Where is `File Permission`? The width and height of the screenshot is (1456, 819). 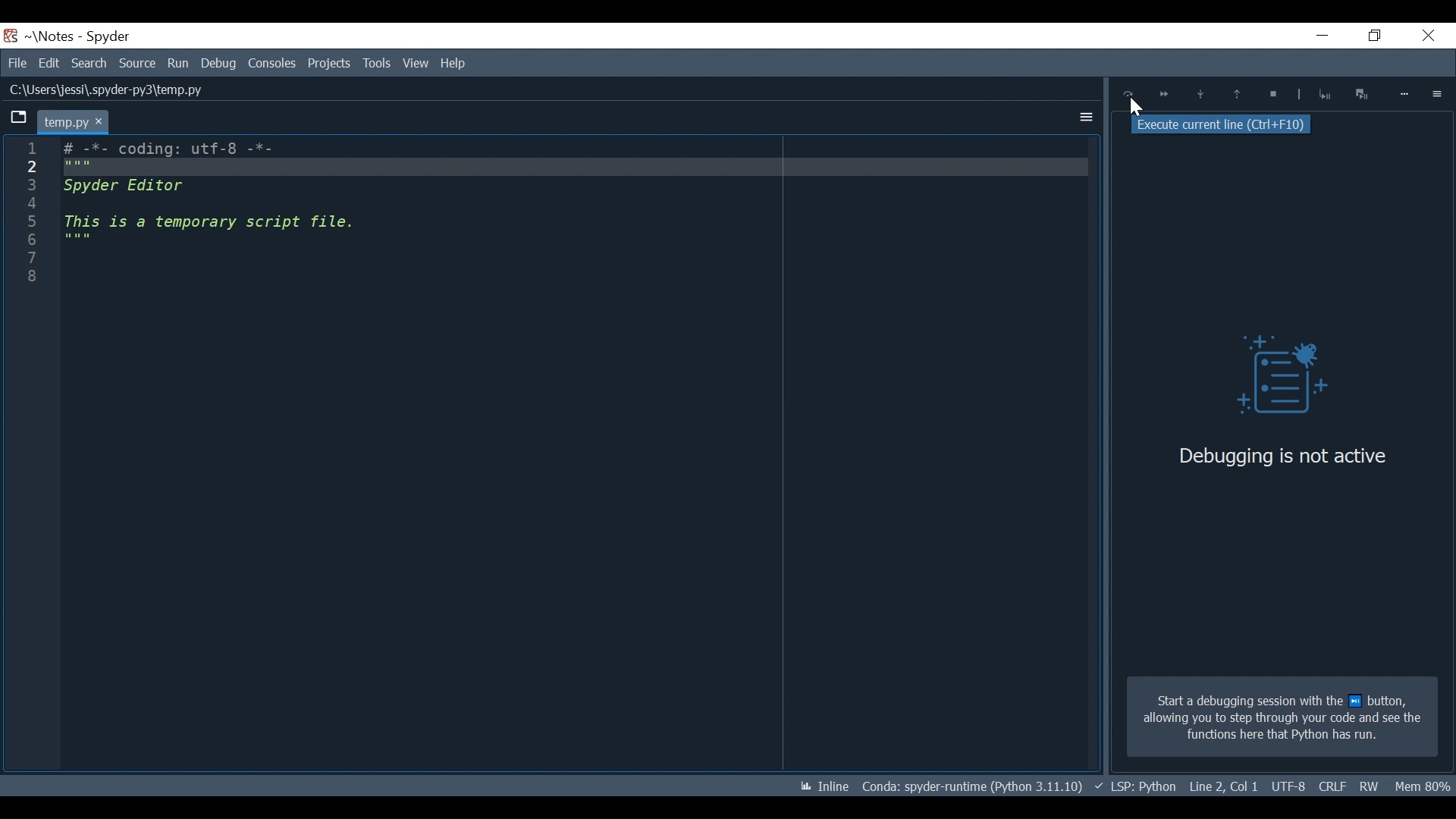
File Permission is located at coordinates (1370, 786).